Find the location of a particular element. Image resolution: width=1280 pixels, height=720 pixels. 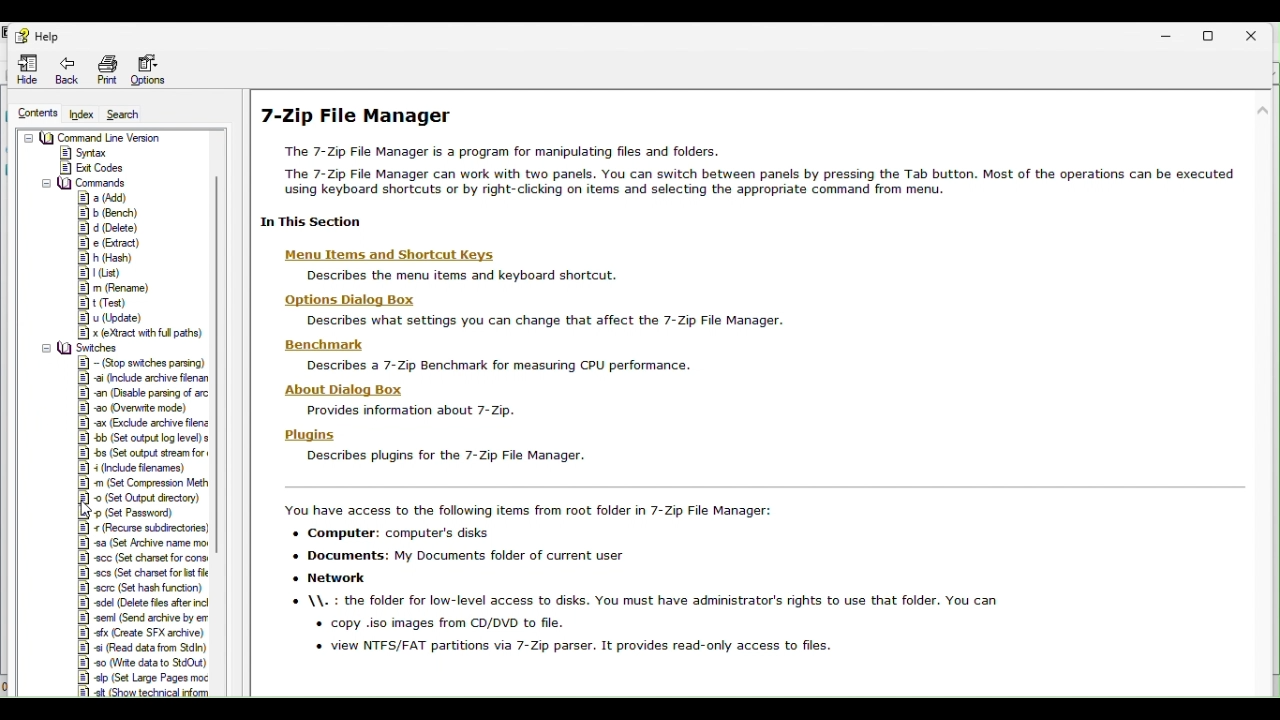

Switches is located at coordinates (85, 348).